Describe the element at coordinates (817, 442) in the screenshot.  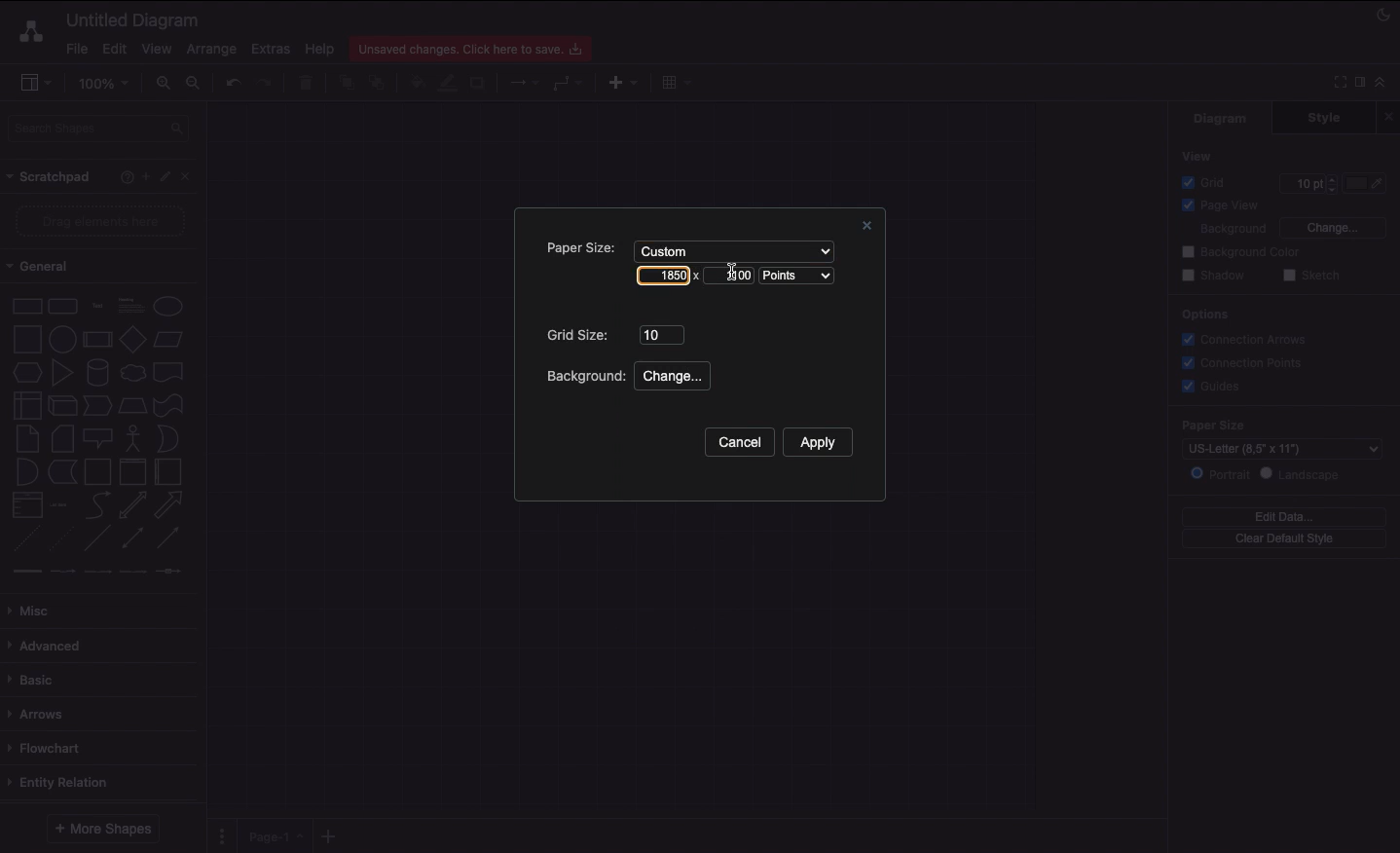
I see `Apply` at that location.